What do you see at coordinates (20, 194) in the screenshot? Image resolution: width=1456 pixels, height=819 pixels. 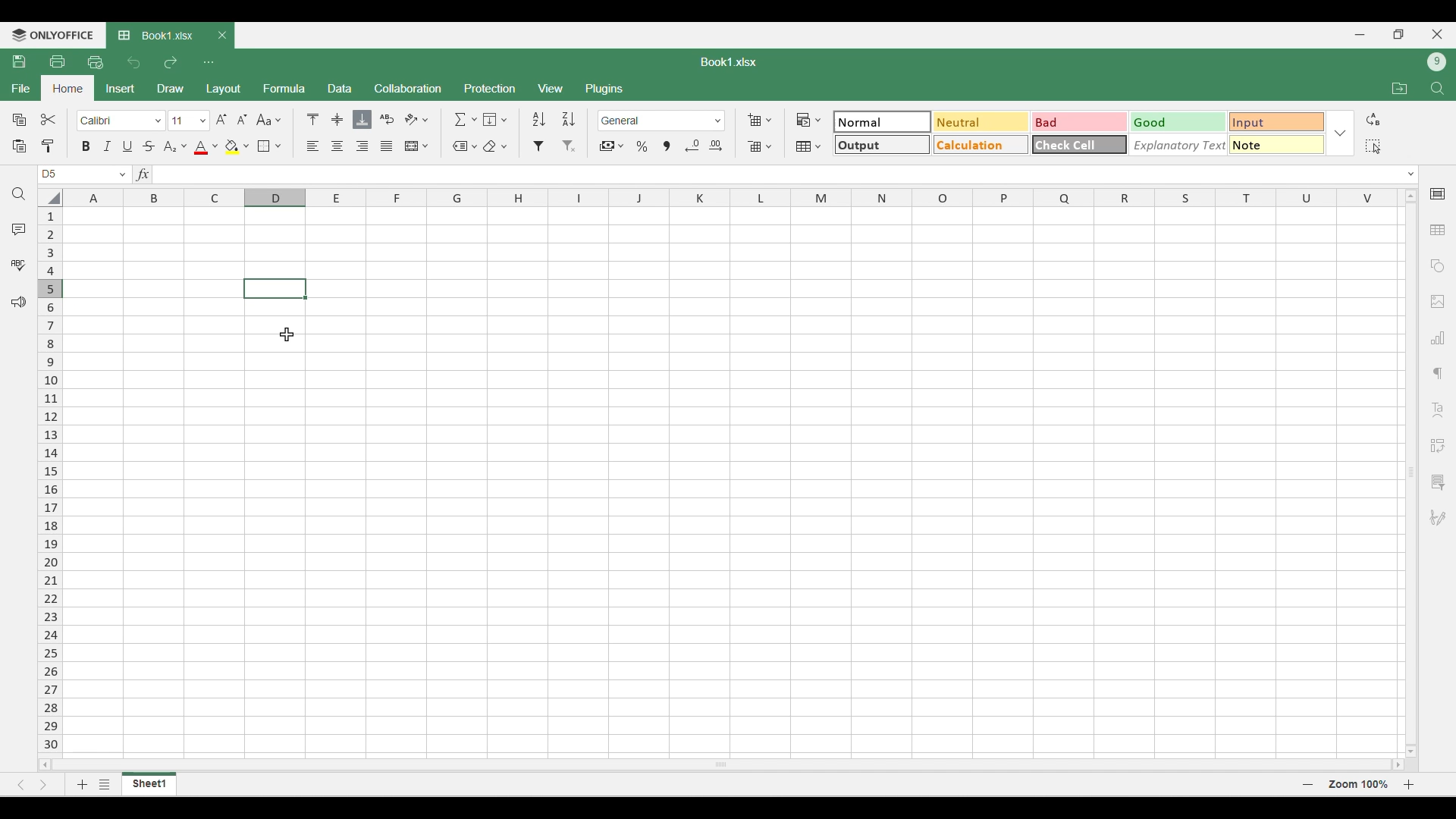 I see `Search` at bounding box center [20, 194].